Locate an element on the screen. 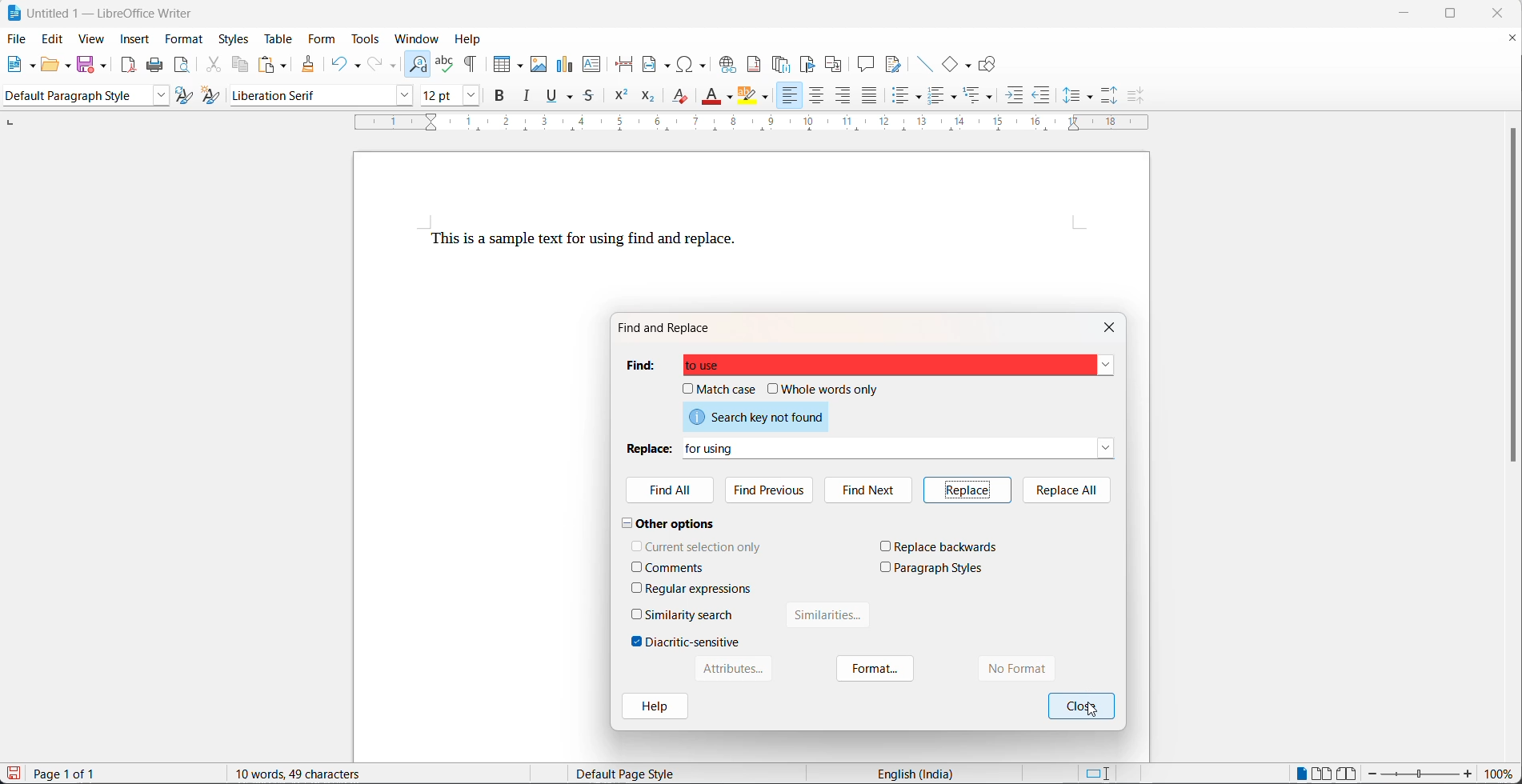  line spacing is located at coordinates (1091, 98).